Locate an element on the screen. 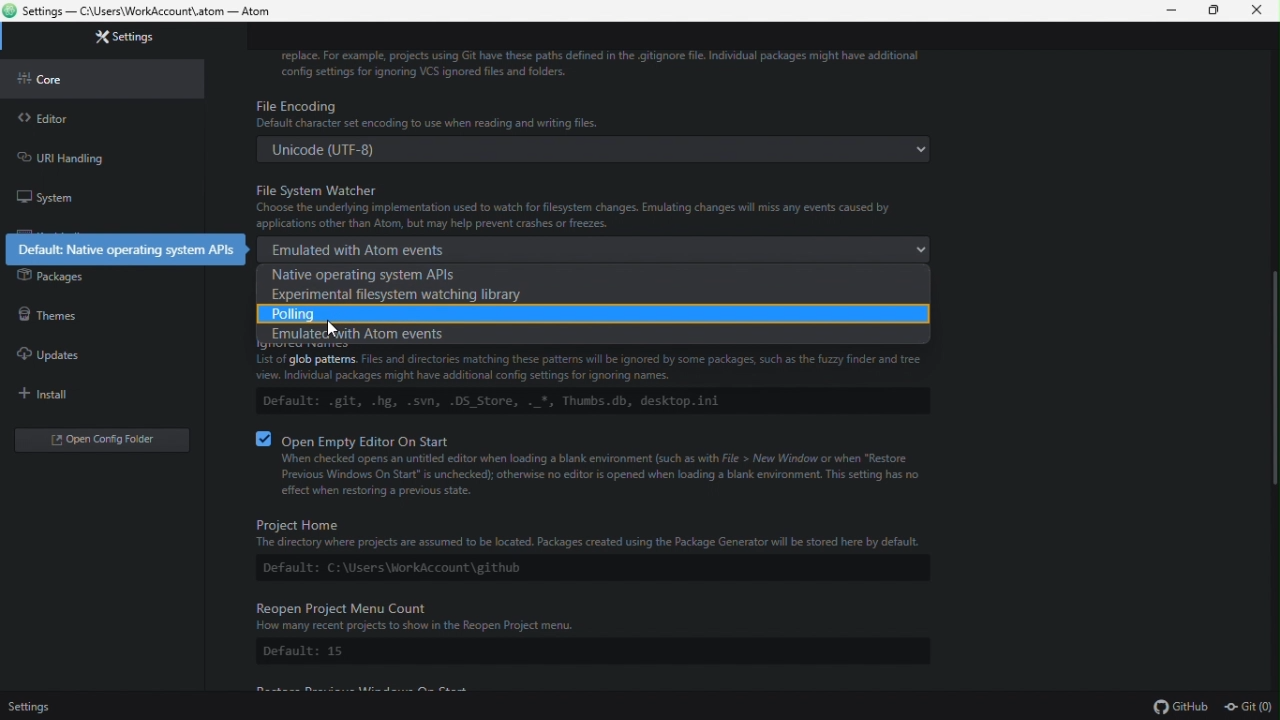  Settings - C:\users\workAccount\.atom - Atom is located at coordinates (151, 13).